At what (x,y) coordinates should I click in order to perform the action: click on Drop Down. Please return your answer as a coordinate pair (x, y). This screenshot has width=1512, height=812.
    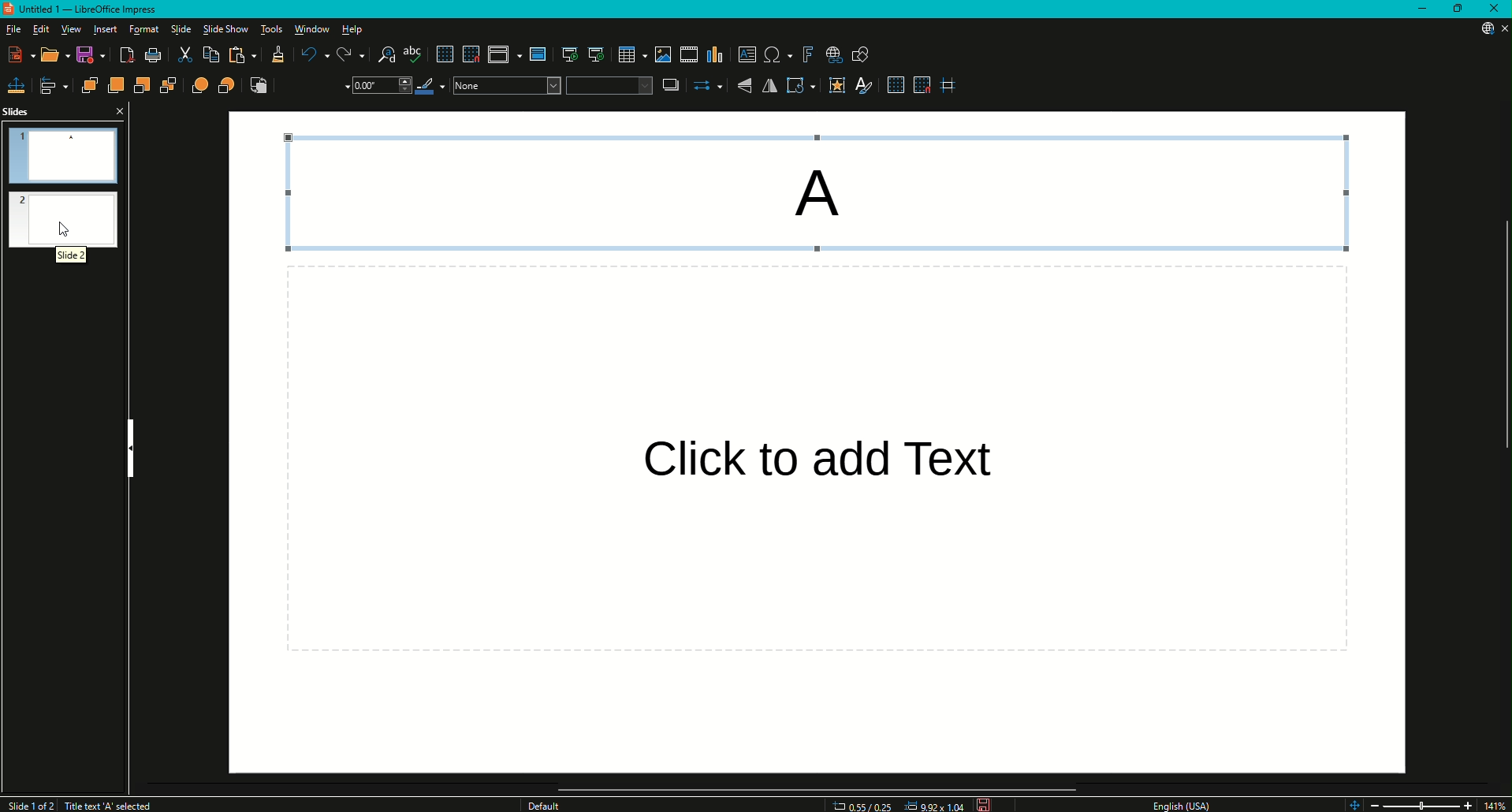
    Looking at the image, I should click on (378, 89).